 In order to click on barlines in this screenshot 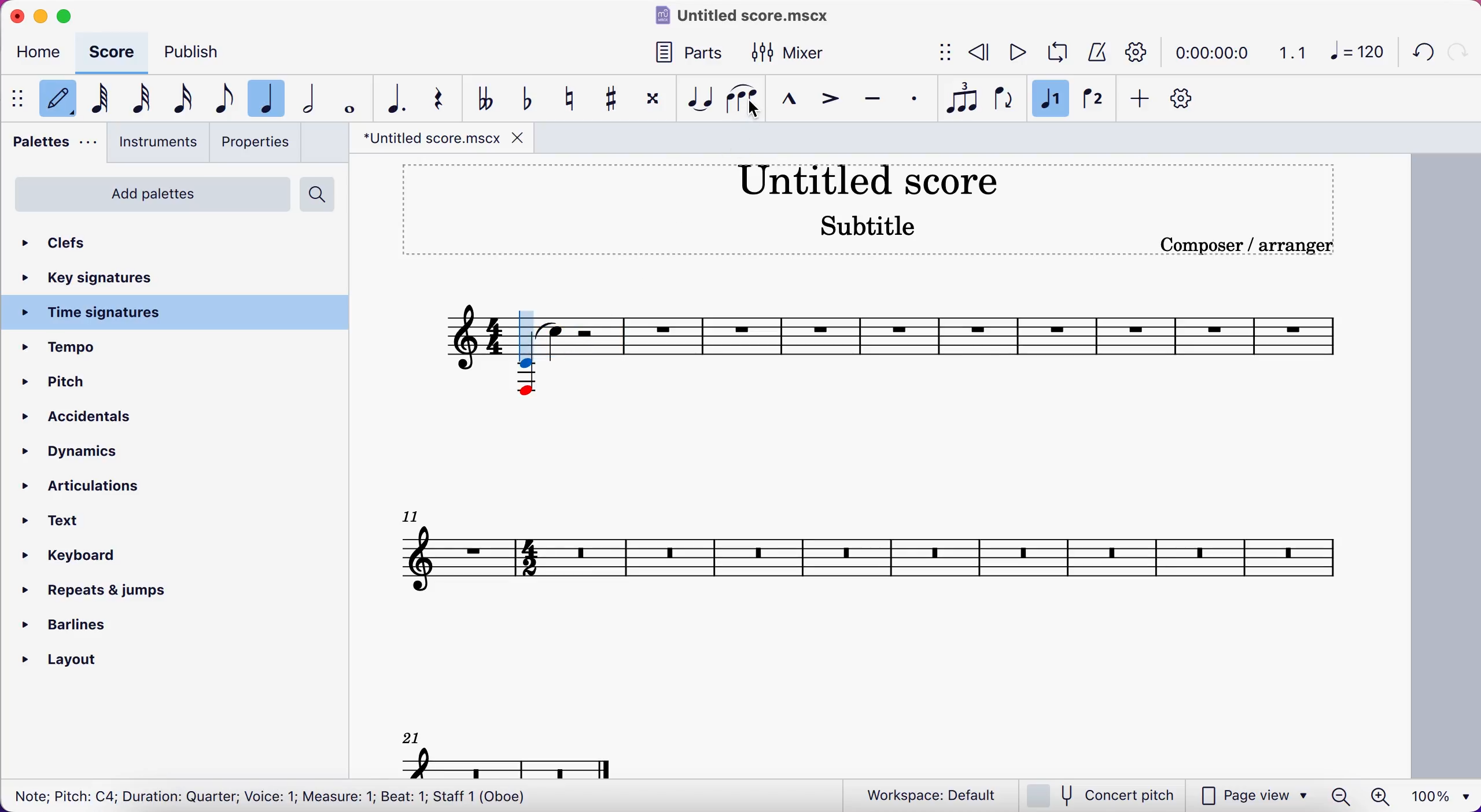, I will do `click(84, 628)`.